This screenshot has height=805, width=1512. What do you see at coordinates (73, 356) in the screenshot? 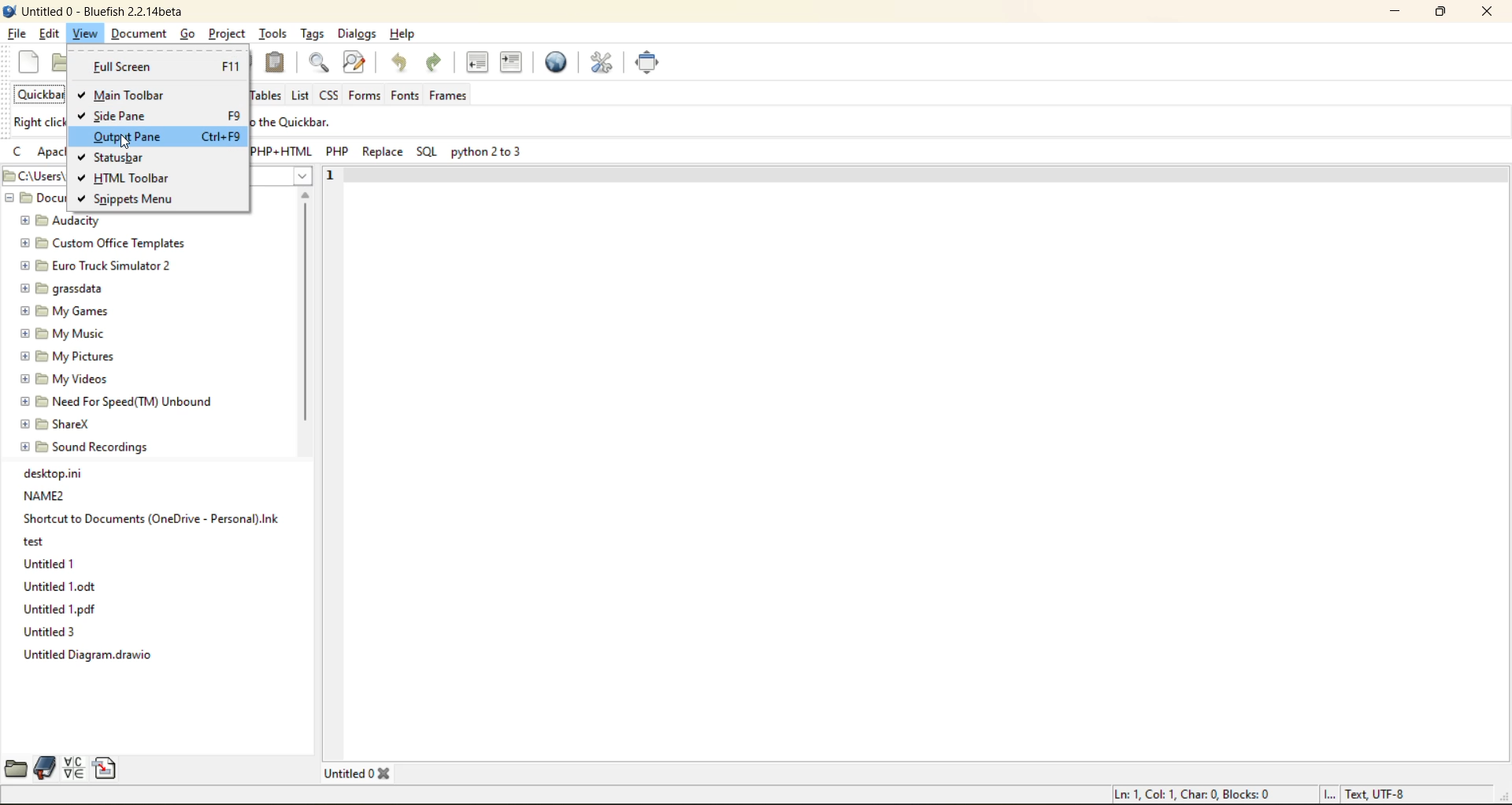
I see `My Pictures` at bounding box center [73, 356].